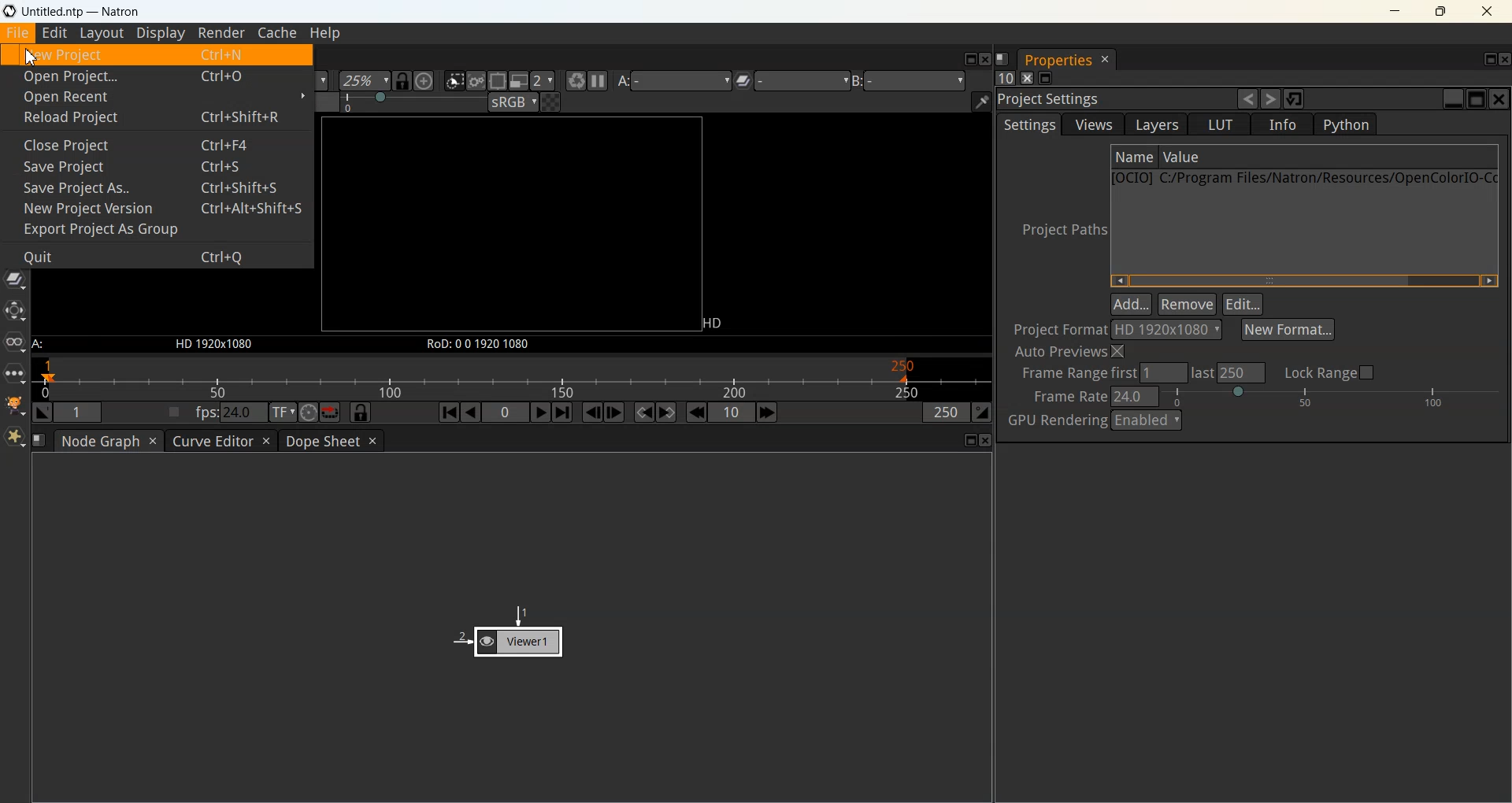  I want to click on New Format, so click(1288, 329).